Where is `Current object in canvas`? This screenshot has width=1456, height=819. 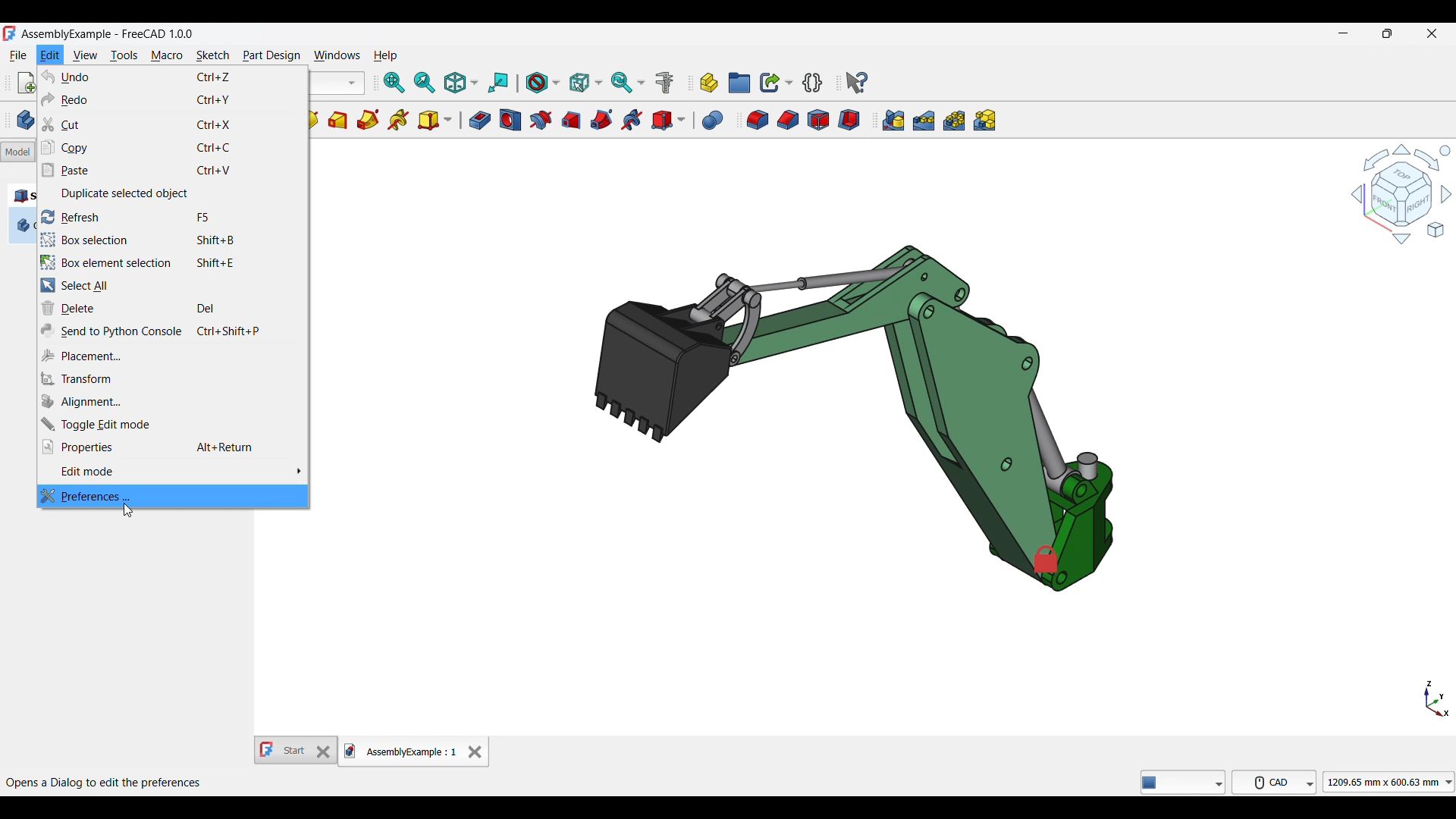
Current object in canvas is located at coordinates (854, 413).